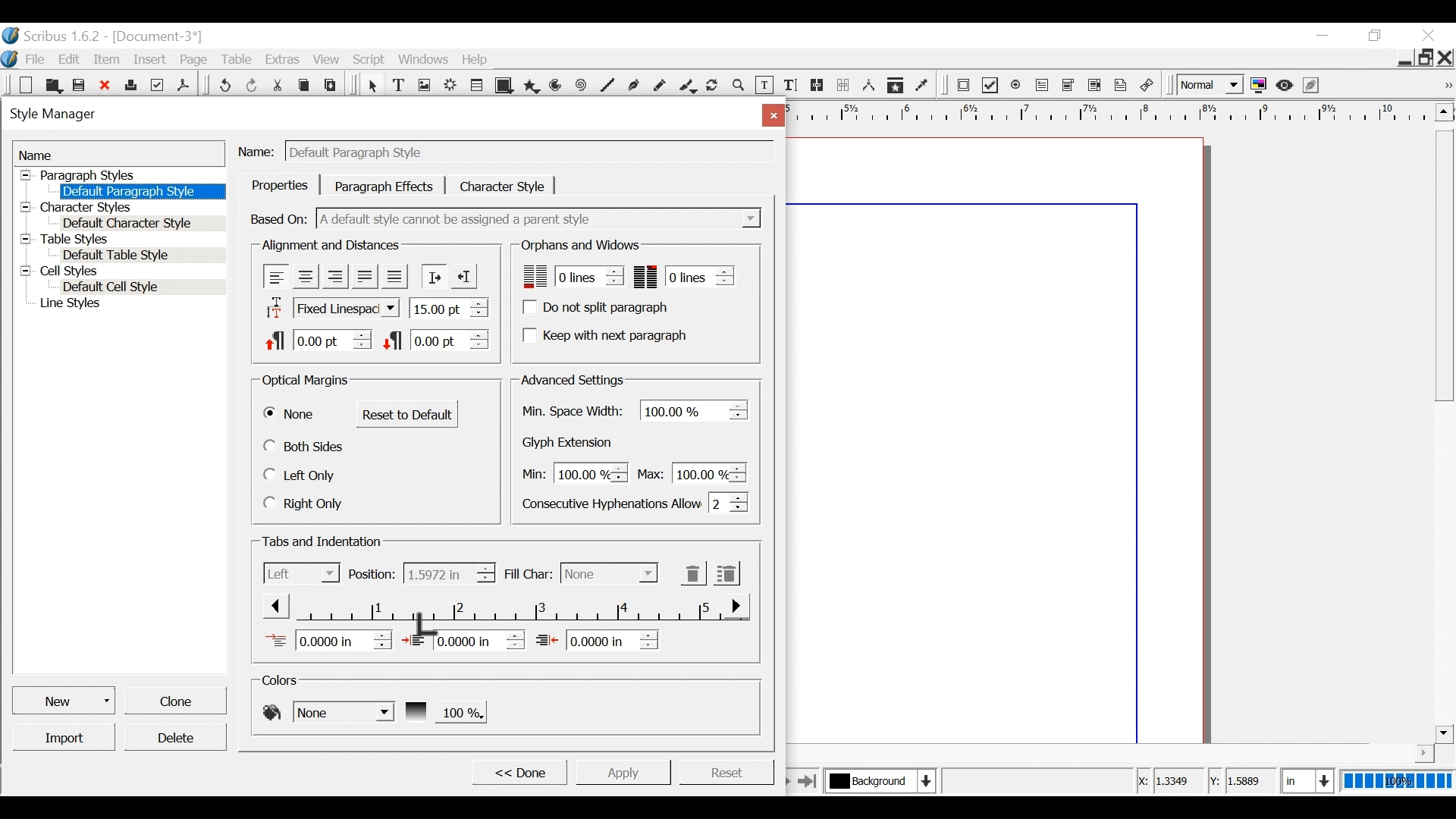 Image resolution: width=1456 pixels, height=819 pixels. Describe the element at coordinates (572, 380) in the screenshot. I see `Advanced Setting` at that location.